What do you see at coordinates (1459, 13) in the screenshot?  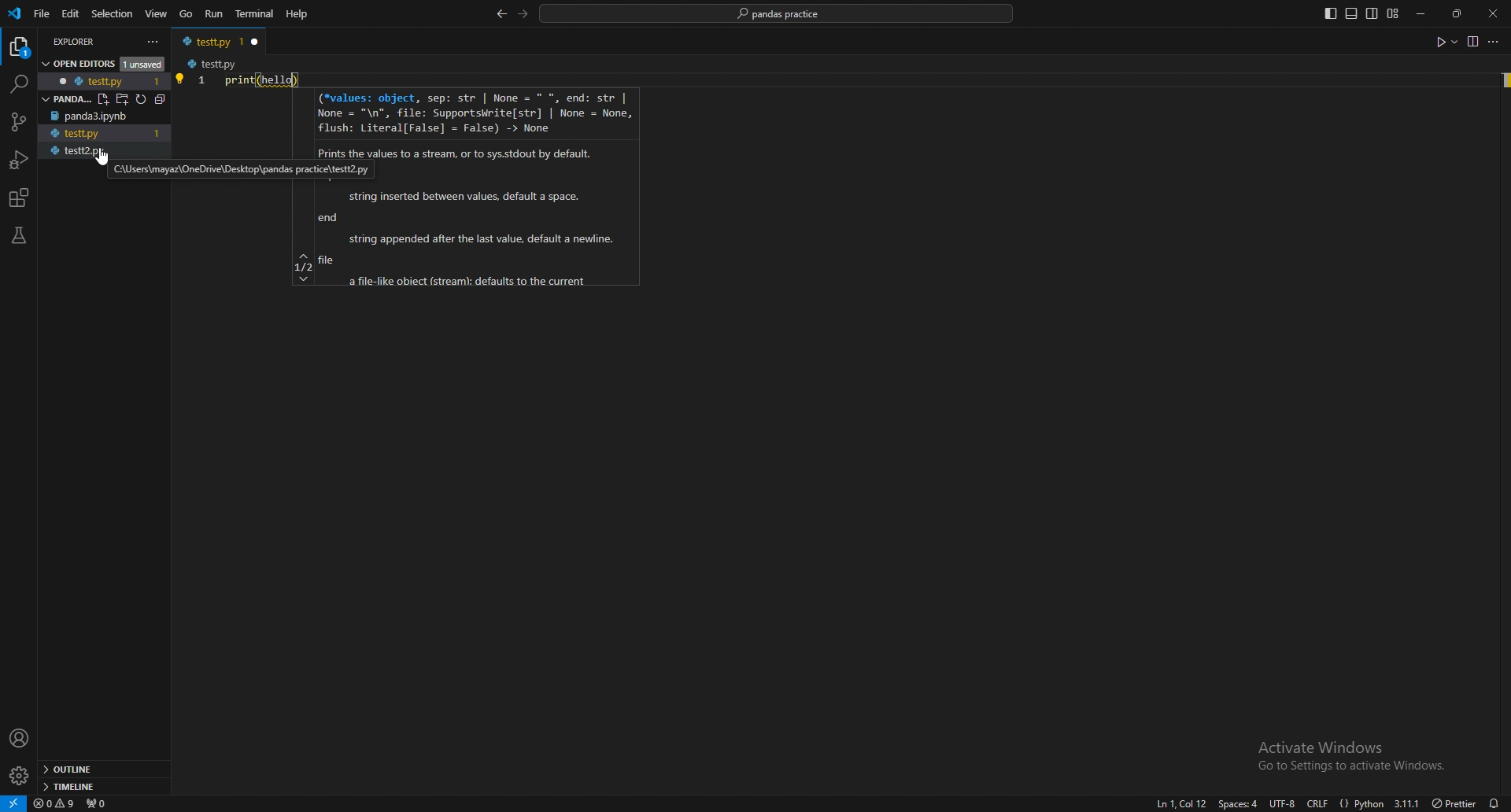 I see `resize` at bounding box center [1459, 13].